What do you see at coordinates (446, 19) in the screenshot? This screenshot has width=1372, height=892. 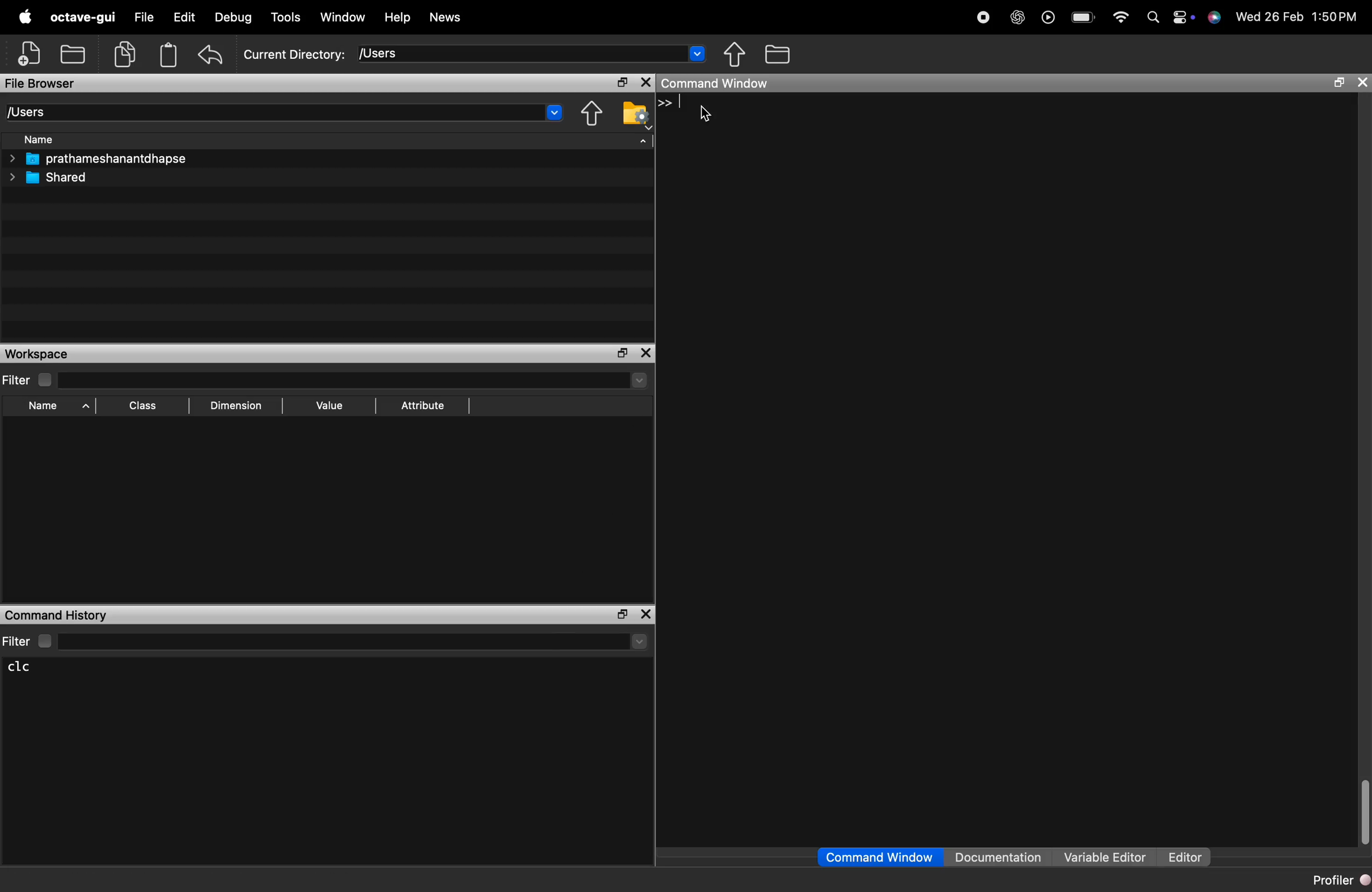 I see `News` at bounding box center [446, 19].